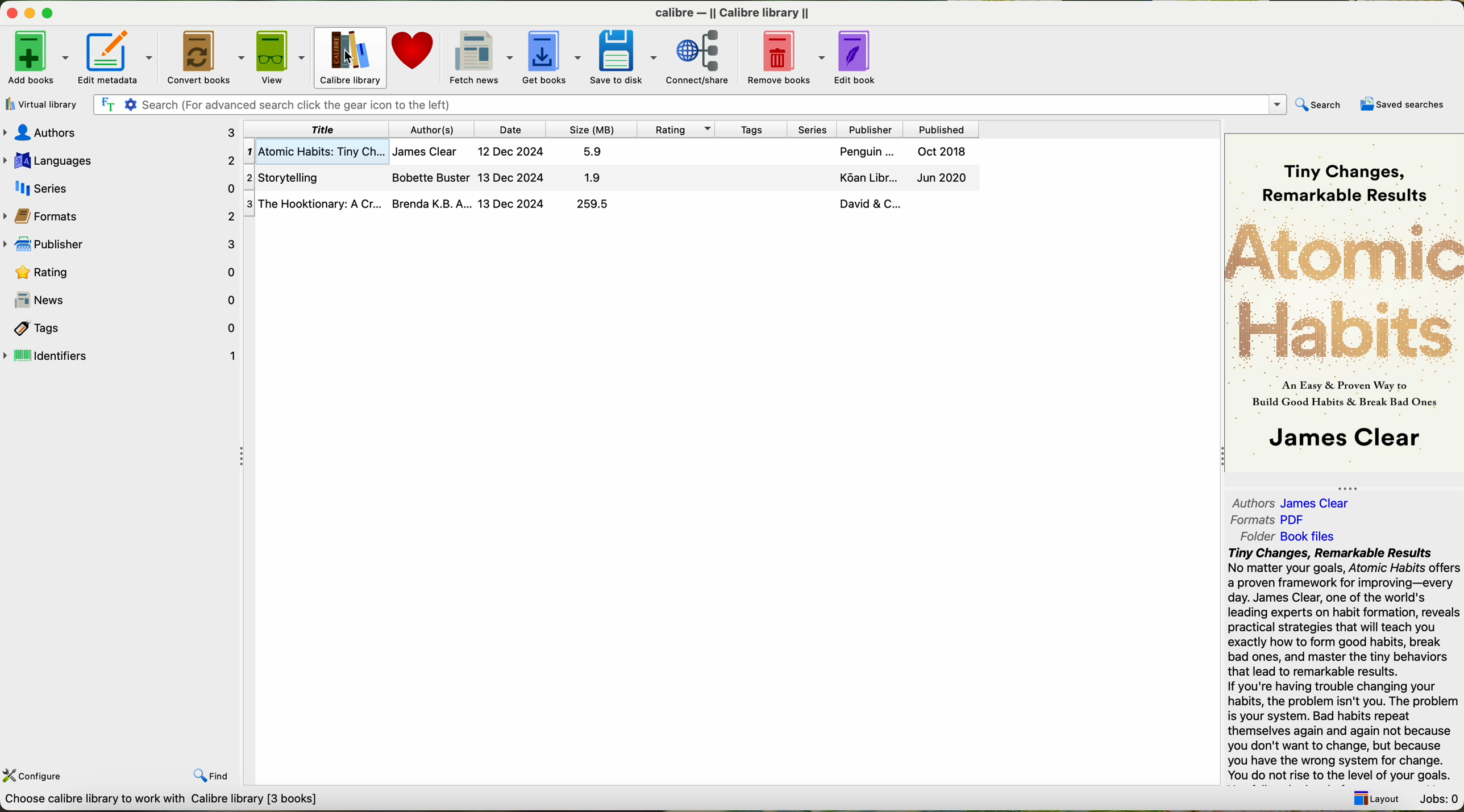 The image size is (1464, 812). What do you see at coordinates (120, 186) in the screenshot?
I see `series` at bounding box center [120, 186].